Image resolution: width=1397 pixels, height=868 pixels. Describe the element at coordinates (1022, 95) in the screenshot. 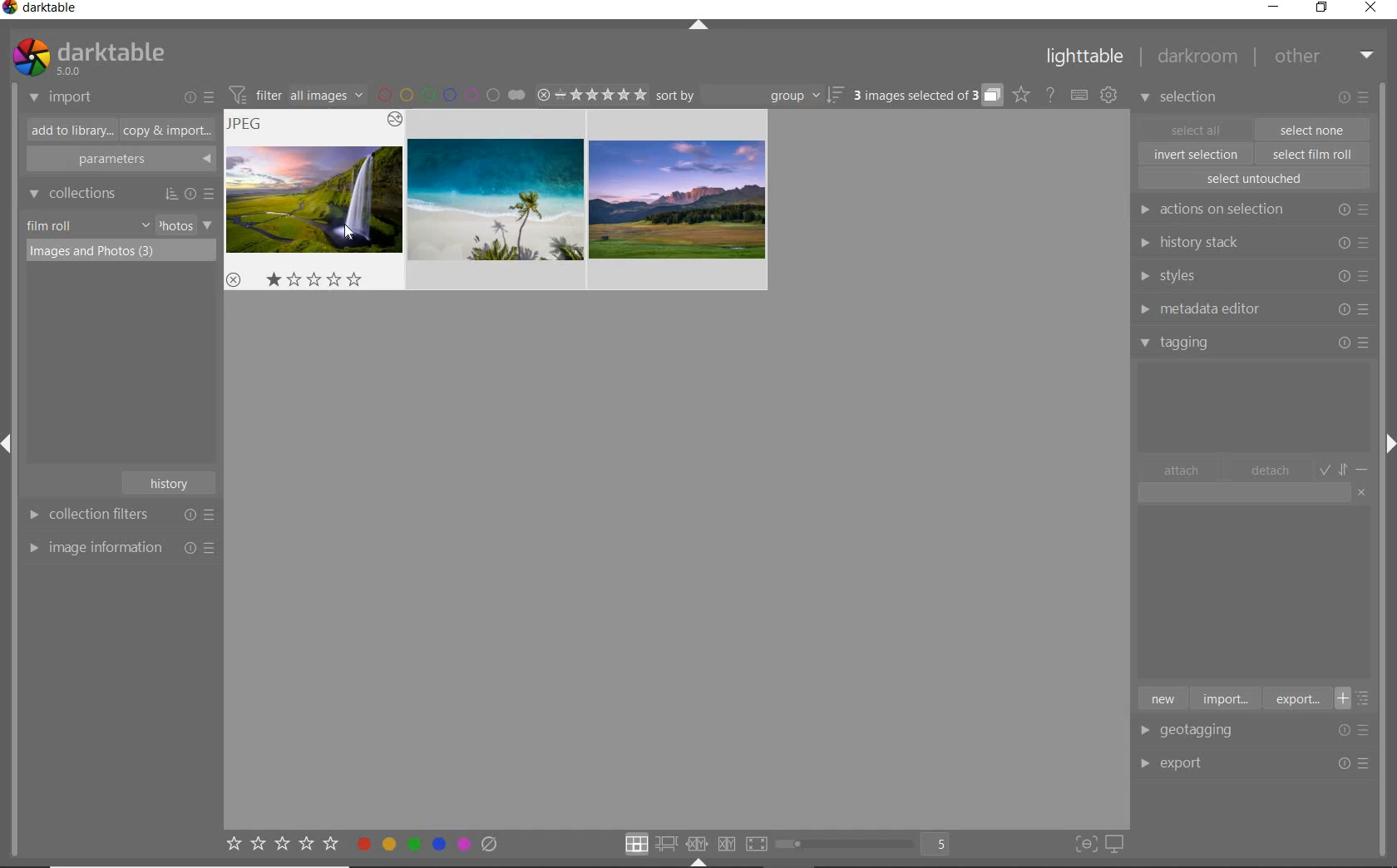

I see `click to change the type of overlay shown on thumbnails` at that location.